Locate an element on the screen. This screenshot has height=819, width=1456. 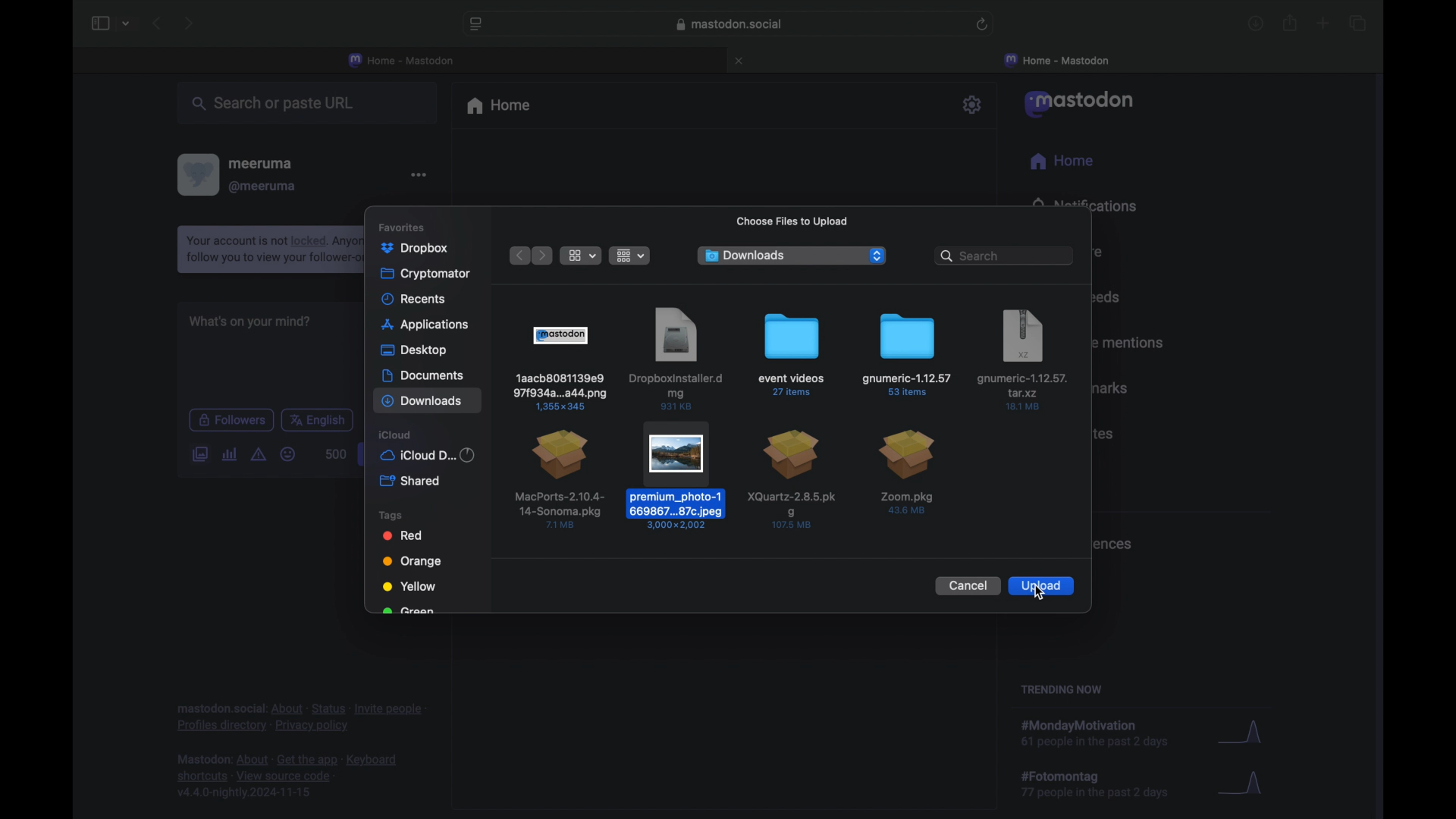
file is located at coordinates (678, 359).